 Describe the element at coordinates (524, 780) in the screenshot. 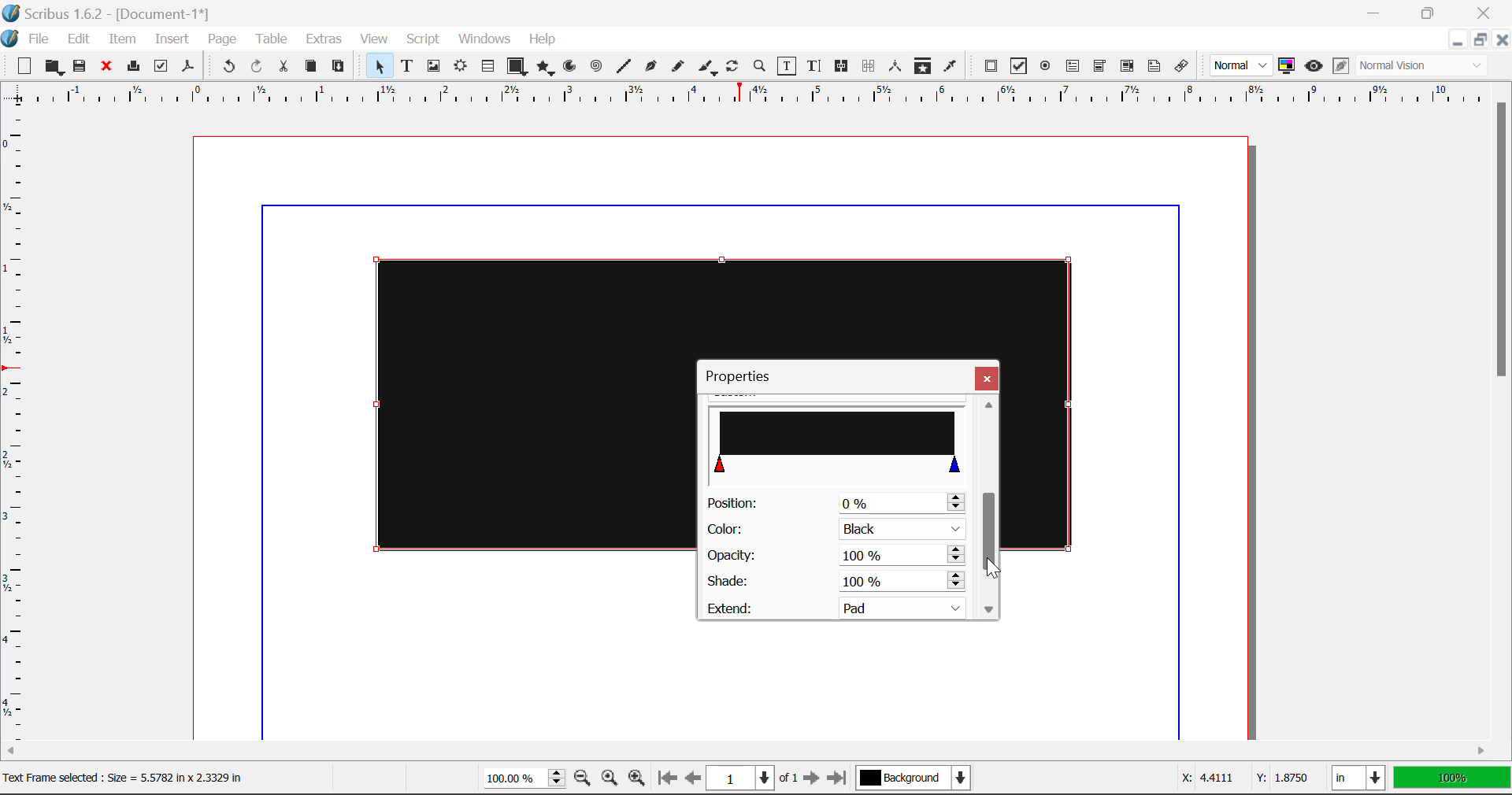

I see `Zoom 100%` at that location.